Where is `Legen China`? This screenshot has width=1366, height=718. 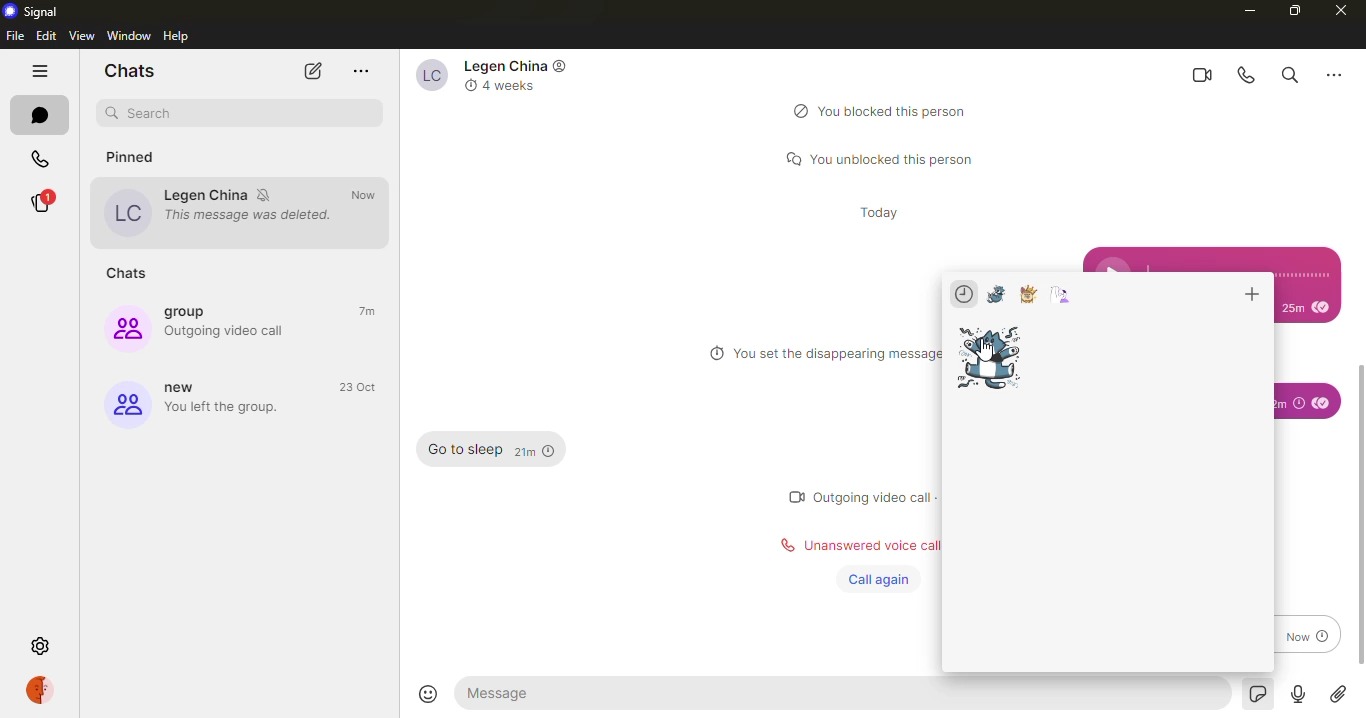
Legen China is located at coordinates (430, 76).